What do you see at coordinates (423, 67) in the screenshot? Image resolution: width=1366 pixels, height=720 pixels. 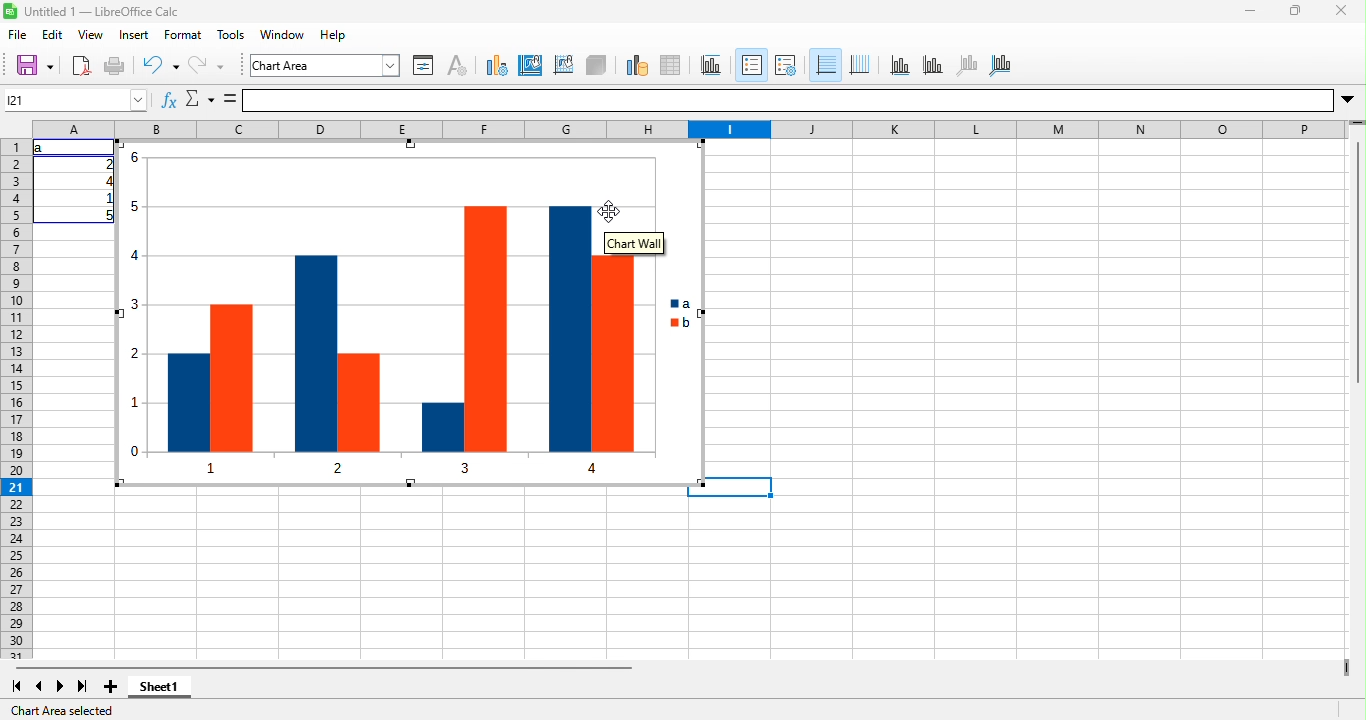 I see `format selection` at bounding box center [423, 67].